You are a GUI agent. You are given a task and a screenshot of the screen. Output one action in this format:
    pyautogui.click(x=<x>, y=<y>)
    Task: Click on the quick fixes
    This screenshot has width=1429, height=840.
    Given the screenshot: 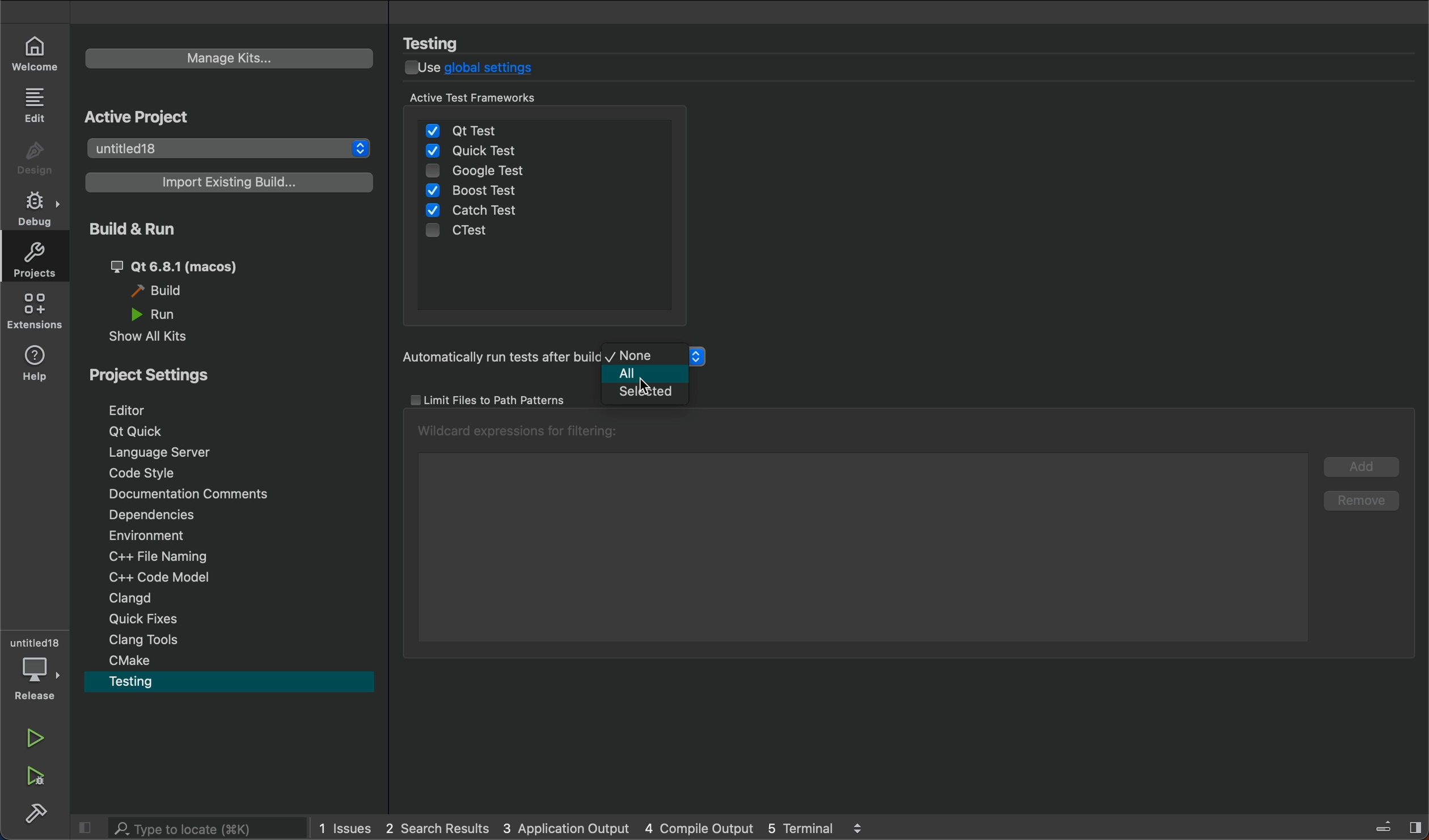 What is the action you would take?
    pyautogui.click(x=153, y=619)
    